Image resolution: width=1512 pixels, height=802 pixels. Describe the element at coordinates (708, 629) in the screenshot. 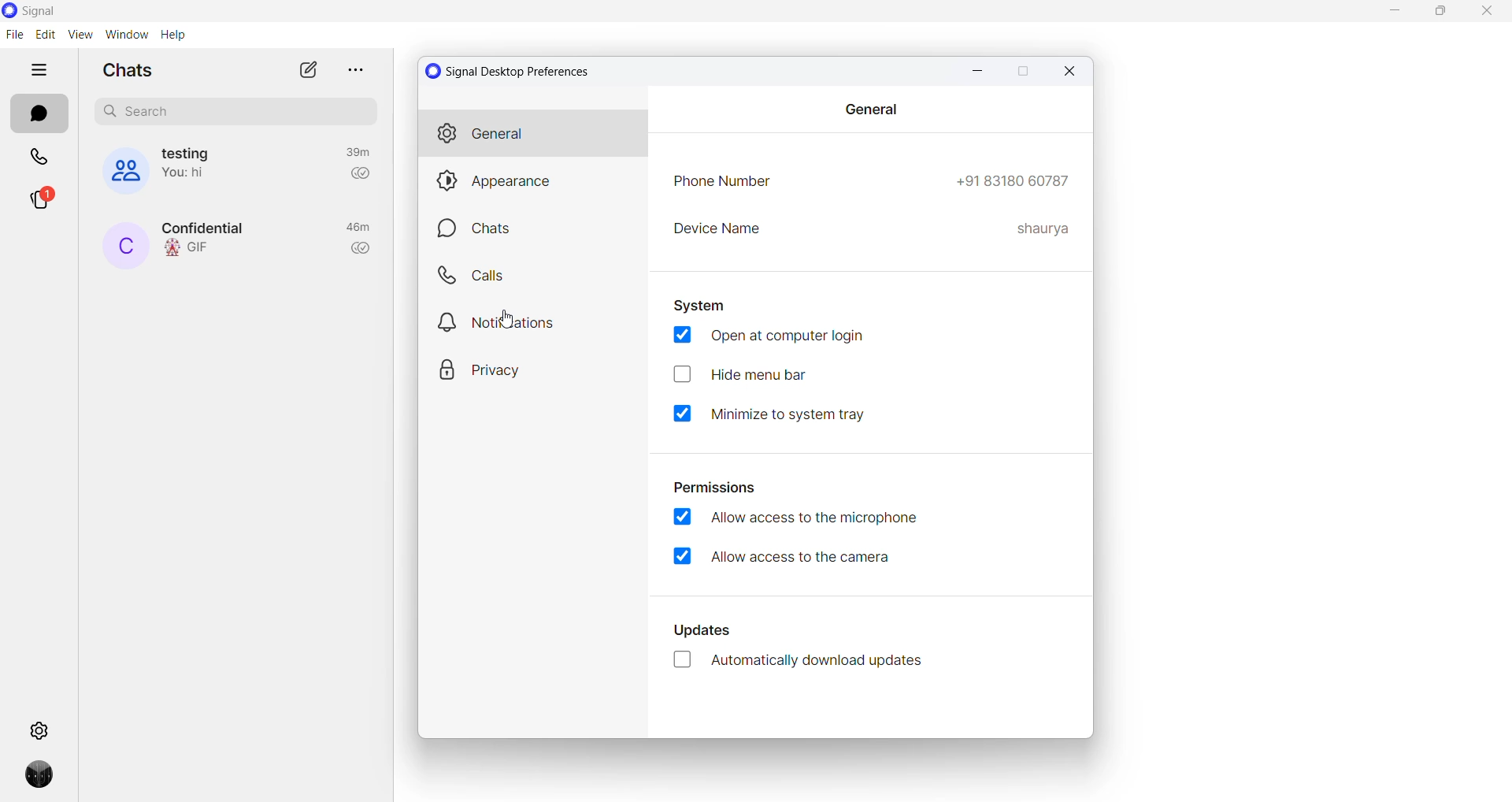

I see `updates` at that location.